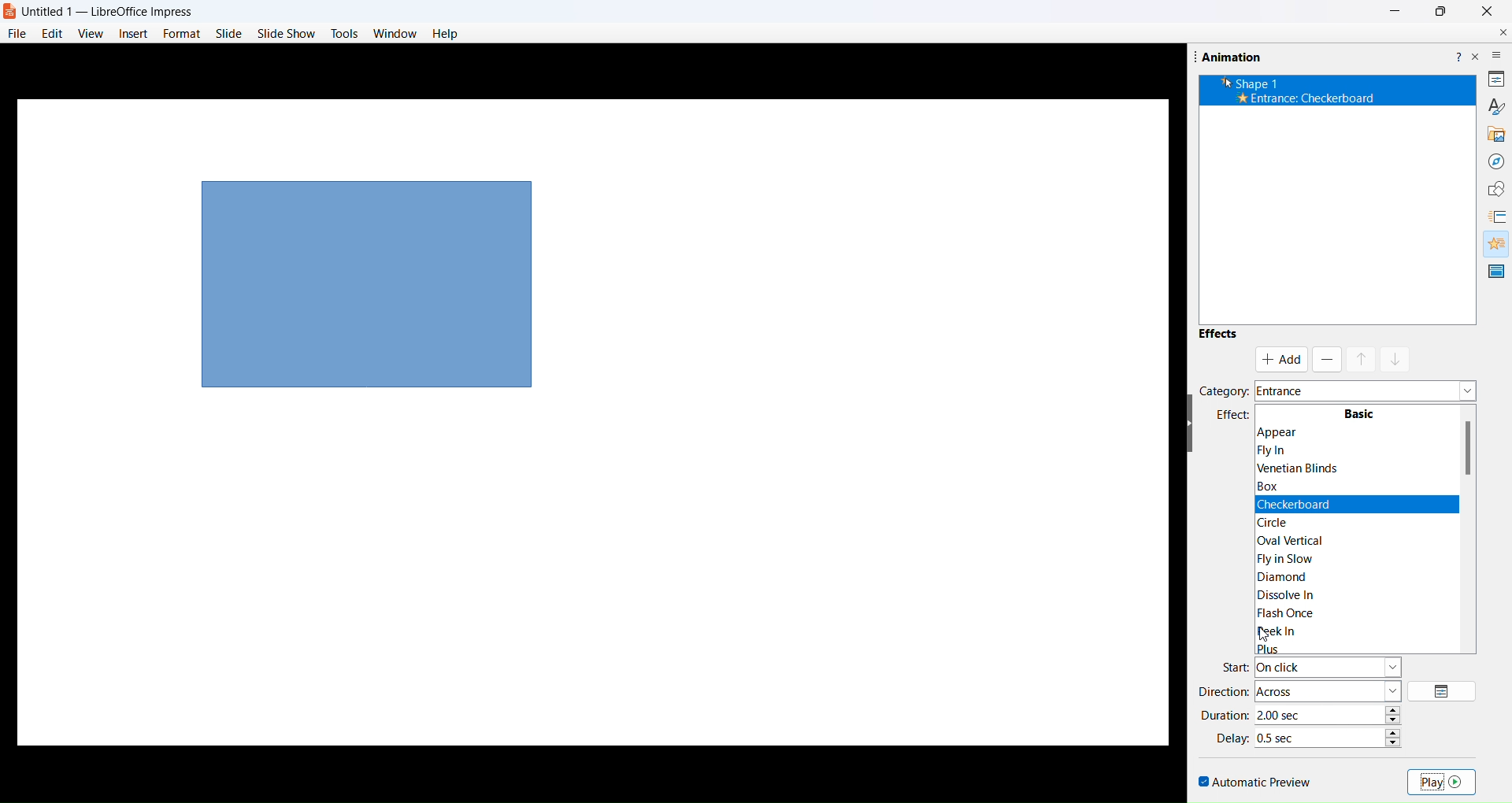 The image size is (1512, 803). What do you see at coordinates (1397, 12) in the screenshot?
I see `minimize` at bounding box center [1397, 12].